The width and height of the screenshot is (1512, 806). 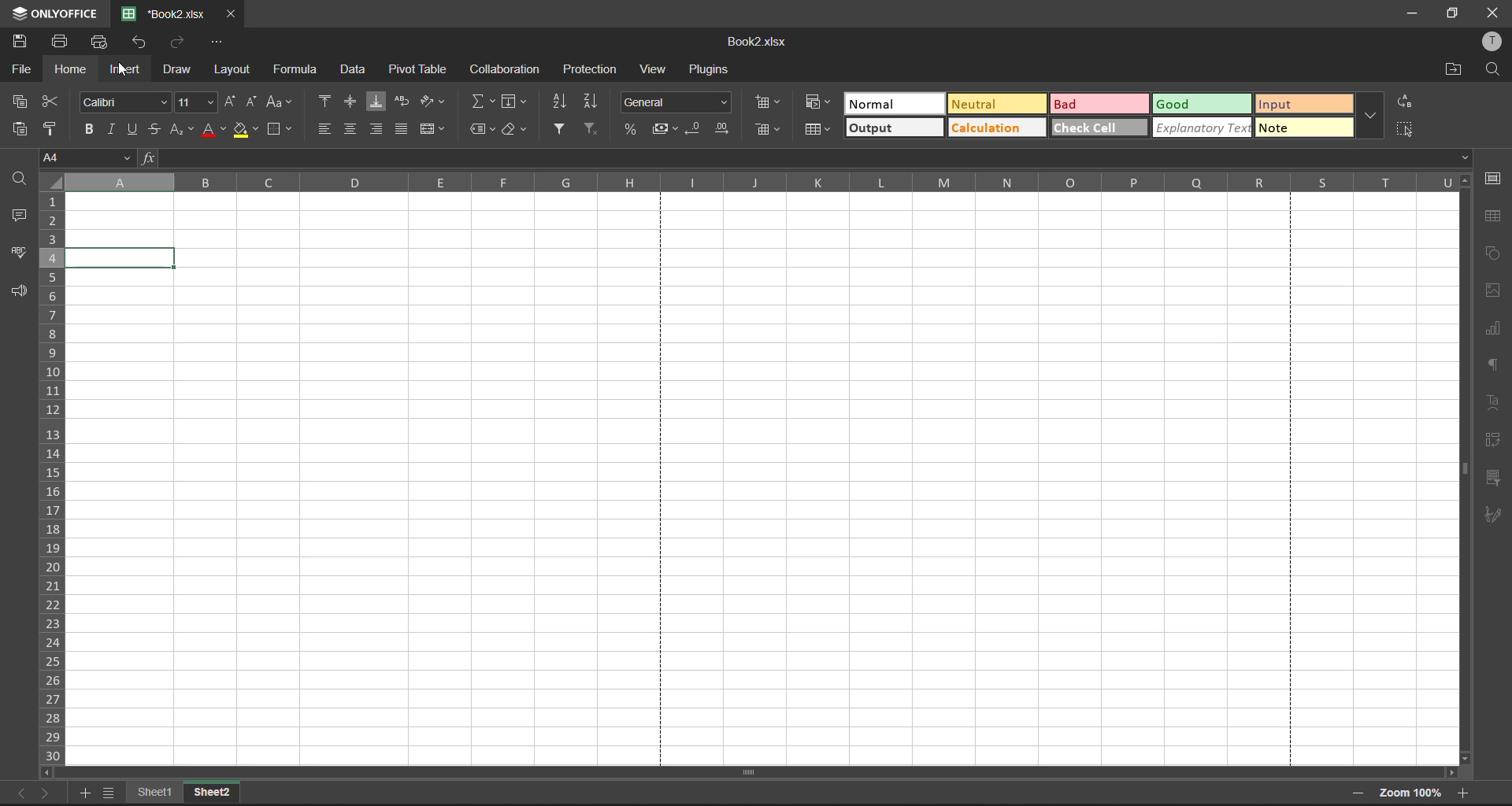 What do you see at coordinates (376, 102) in the screenshot?
I see `align bottom` at bounding box center [376, 102].